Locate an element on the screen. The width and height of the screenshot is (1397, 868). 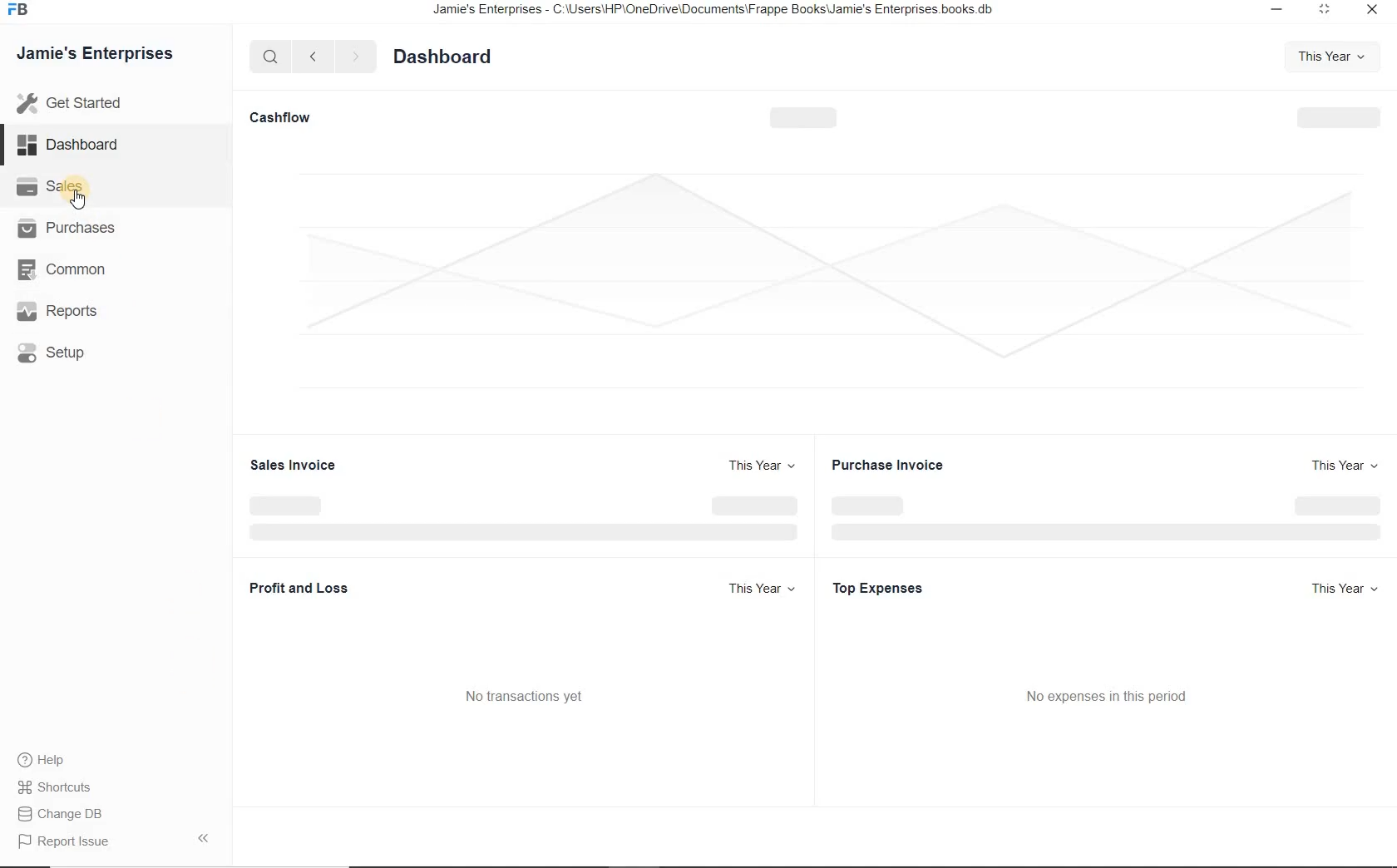
Purchases is located at coordinates (68, 228).